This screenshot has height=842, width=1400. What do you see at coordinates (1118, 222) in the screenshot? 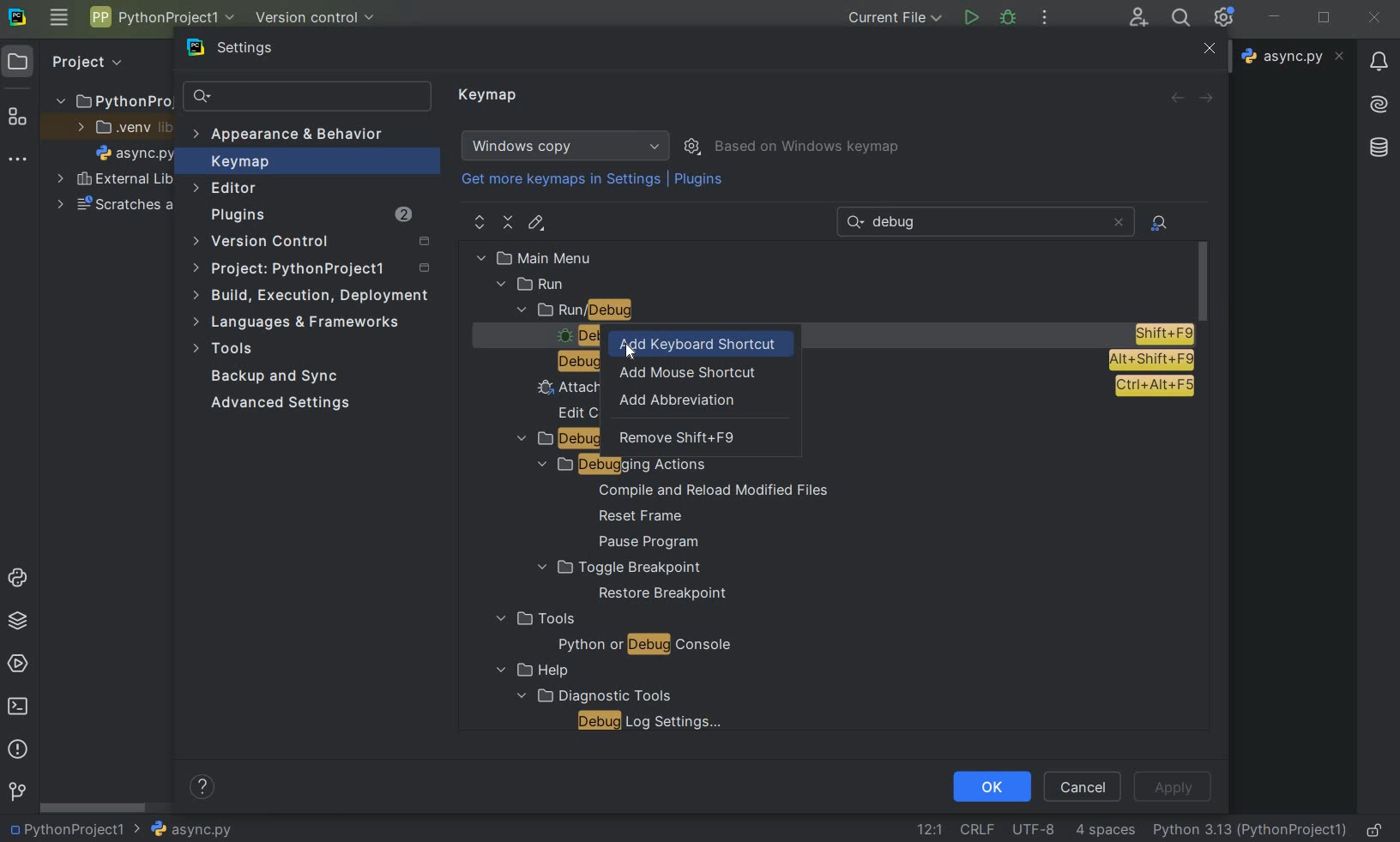
I see `close` at bounding box center [1118, 222].